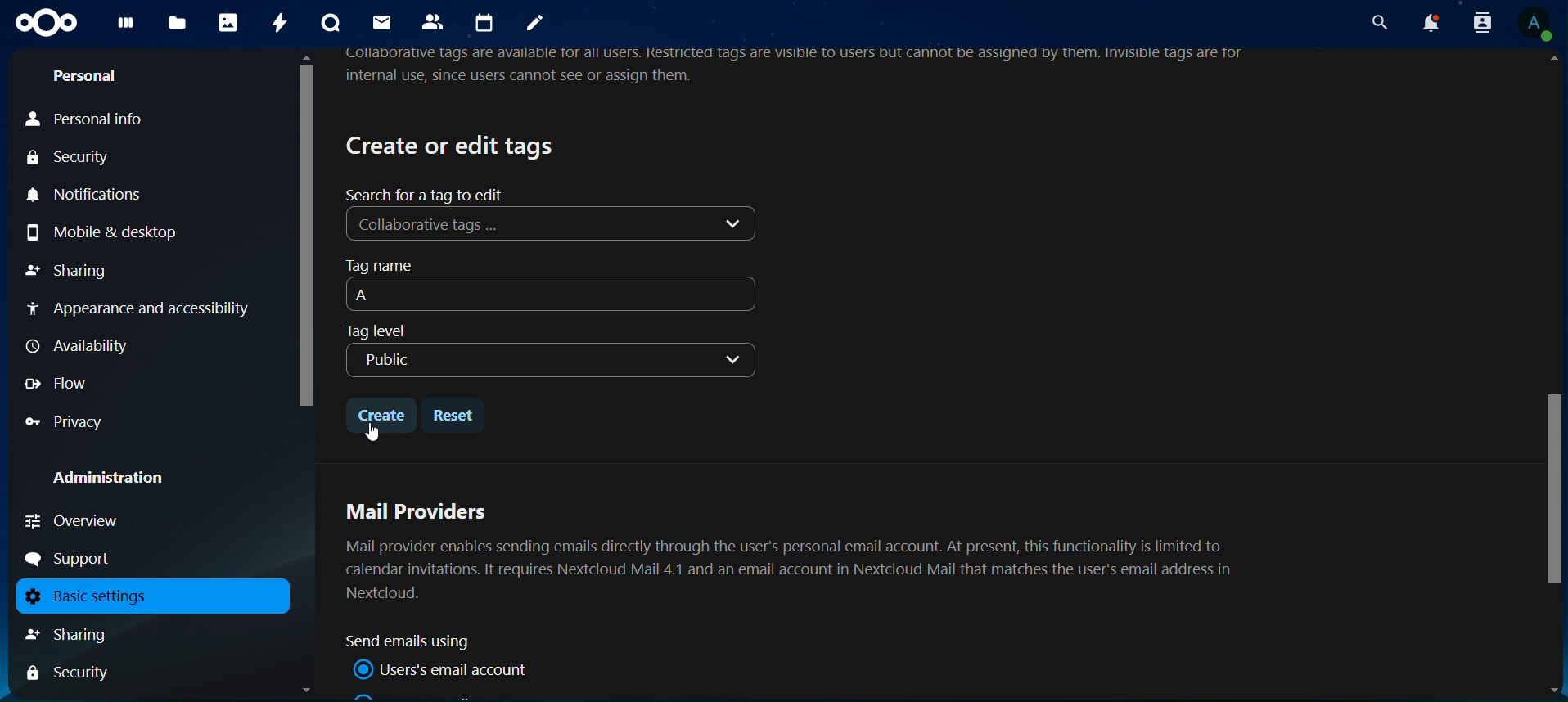 The height and width of the screenshot is (702, 1568). I want to click on calendar, so click(487, 23).